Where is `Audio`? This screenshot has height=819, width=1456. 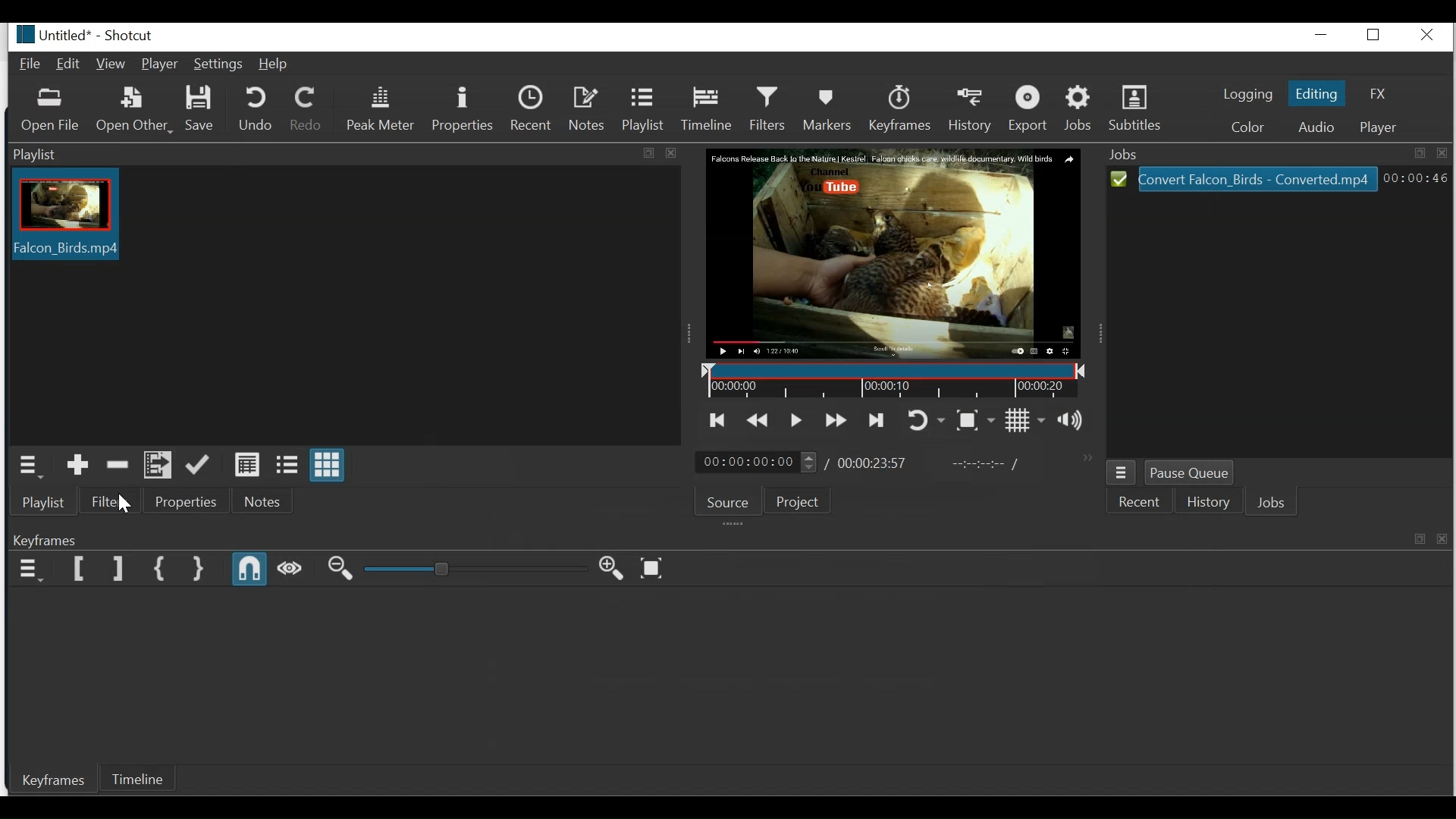
Audio is located at coordinates (1313, 127).